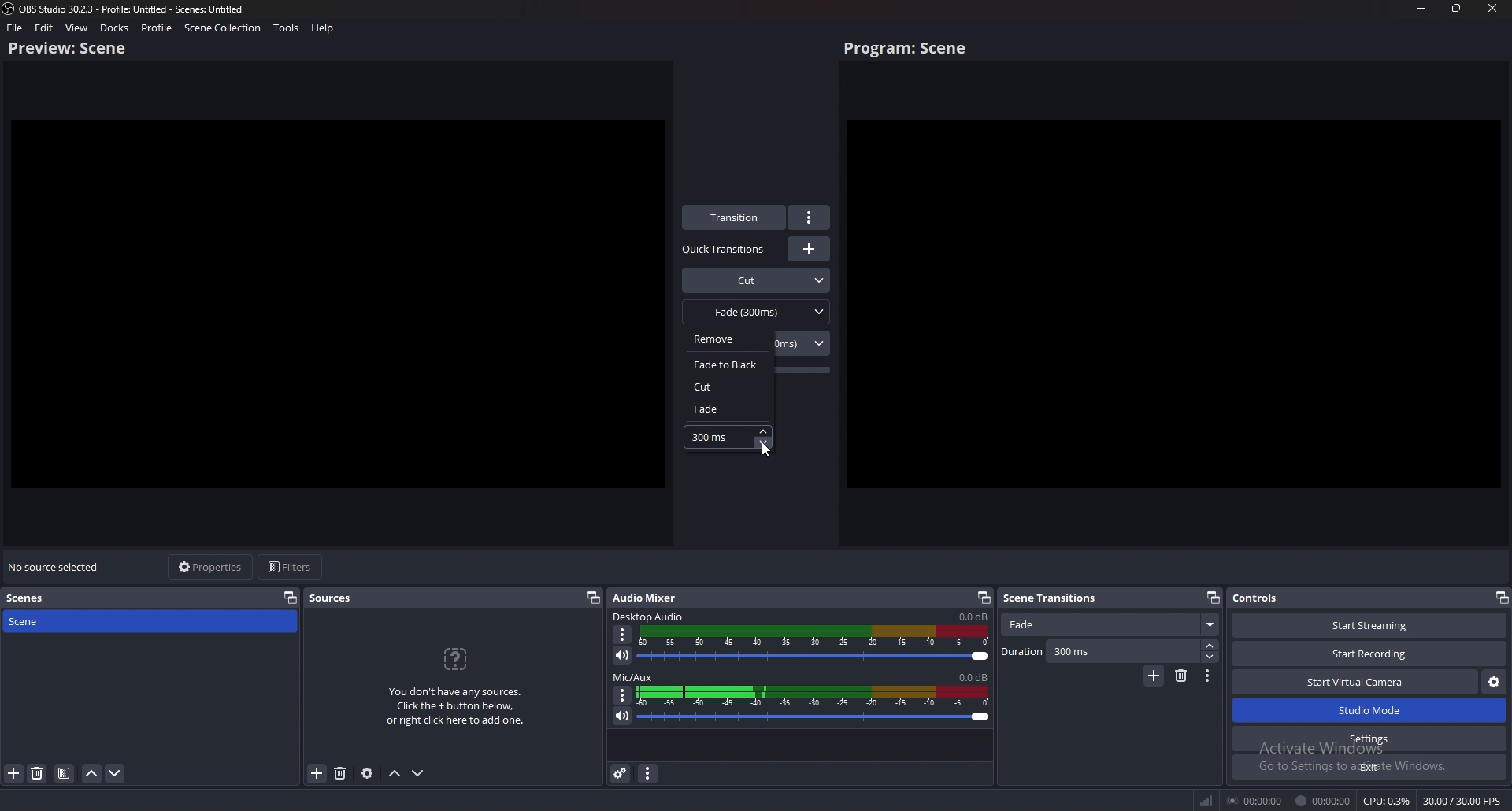 This screenshot has height=811, width=1512. What do you see at coordinates (69, 621) in the screenshot?
I see `scene` at bounding box center [69, 621].